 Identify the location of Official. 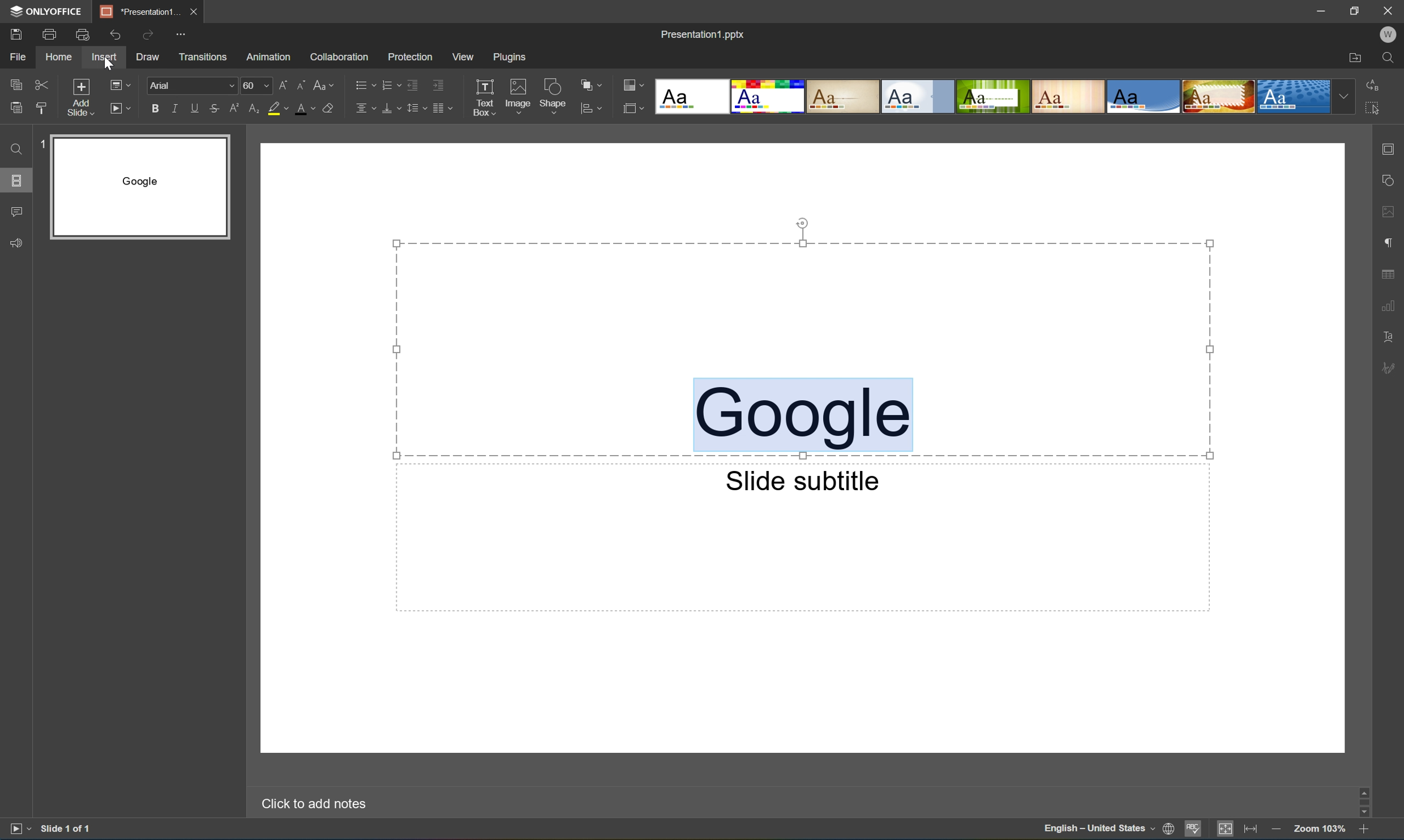
(918, 97).